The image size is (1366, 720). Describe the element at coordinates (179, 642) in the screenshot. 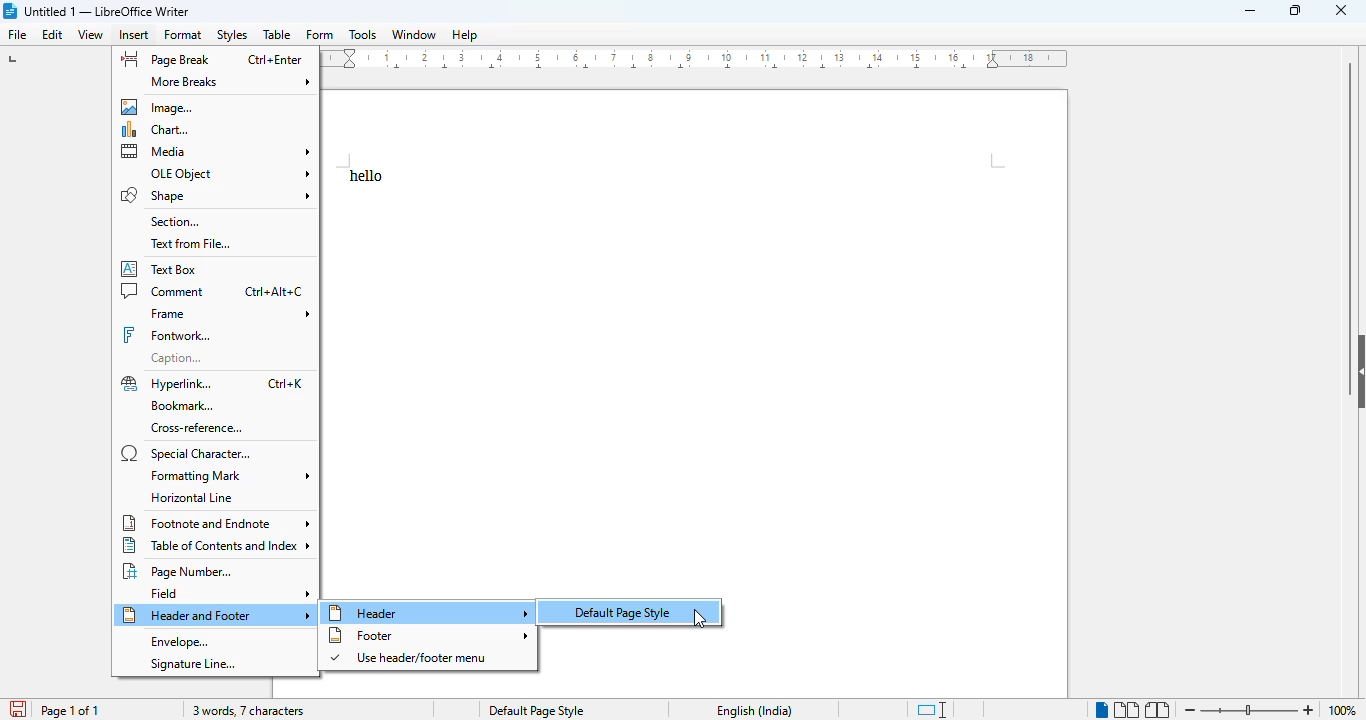

I see `envelope` at that location.